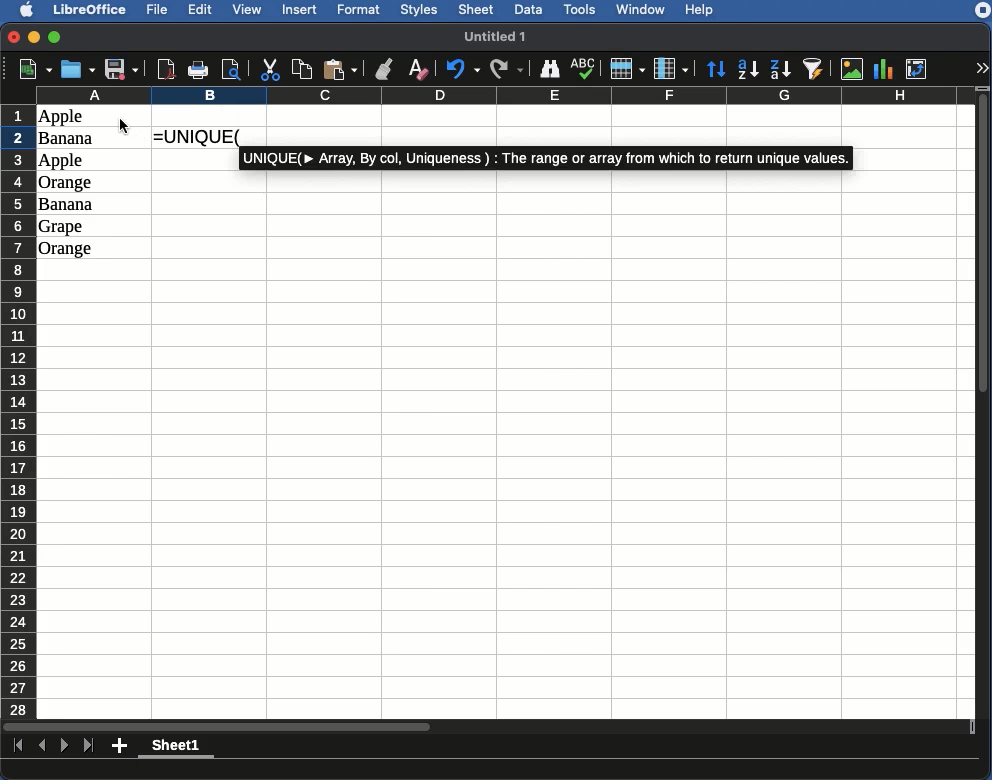 This screenshot has height=780, width=992. What do you see at coordinates (35, 37) in the screenshot?
I see `Minimize` at bounding box center [35, 37].